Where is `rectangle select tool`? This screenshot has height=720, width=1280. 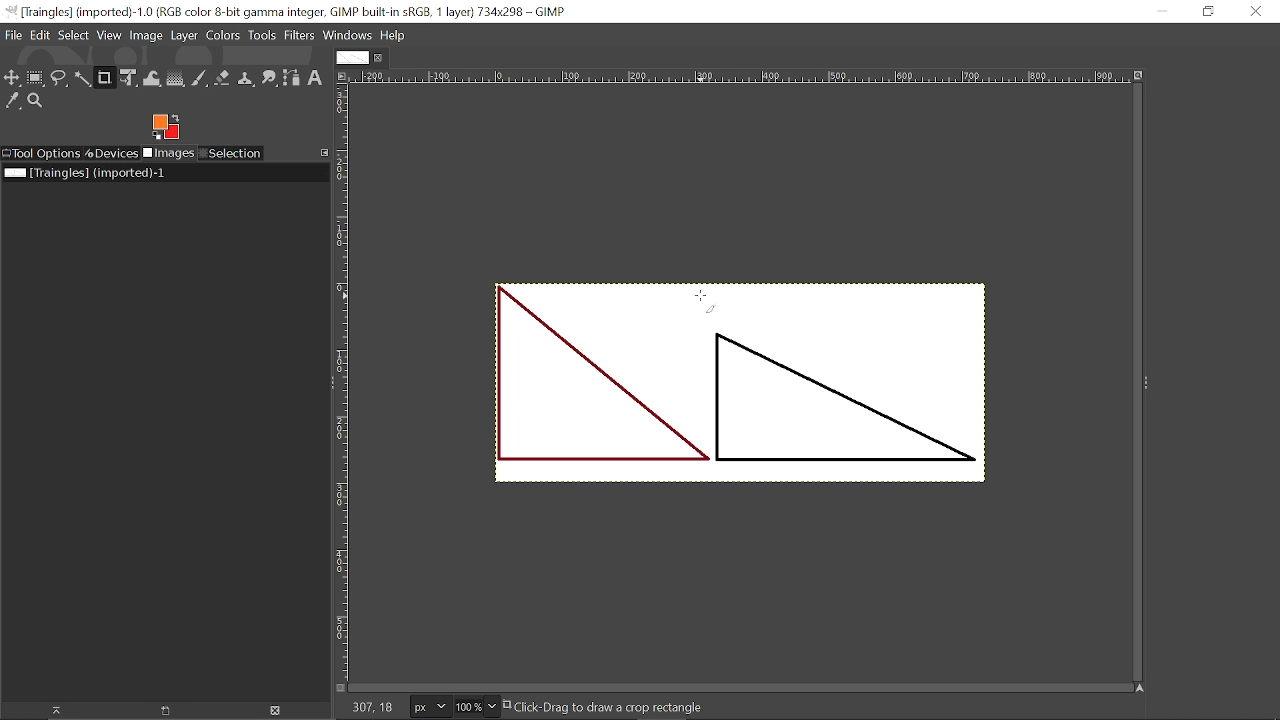
rectangle select tool is located at coordinates (37, 78).